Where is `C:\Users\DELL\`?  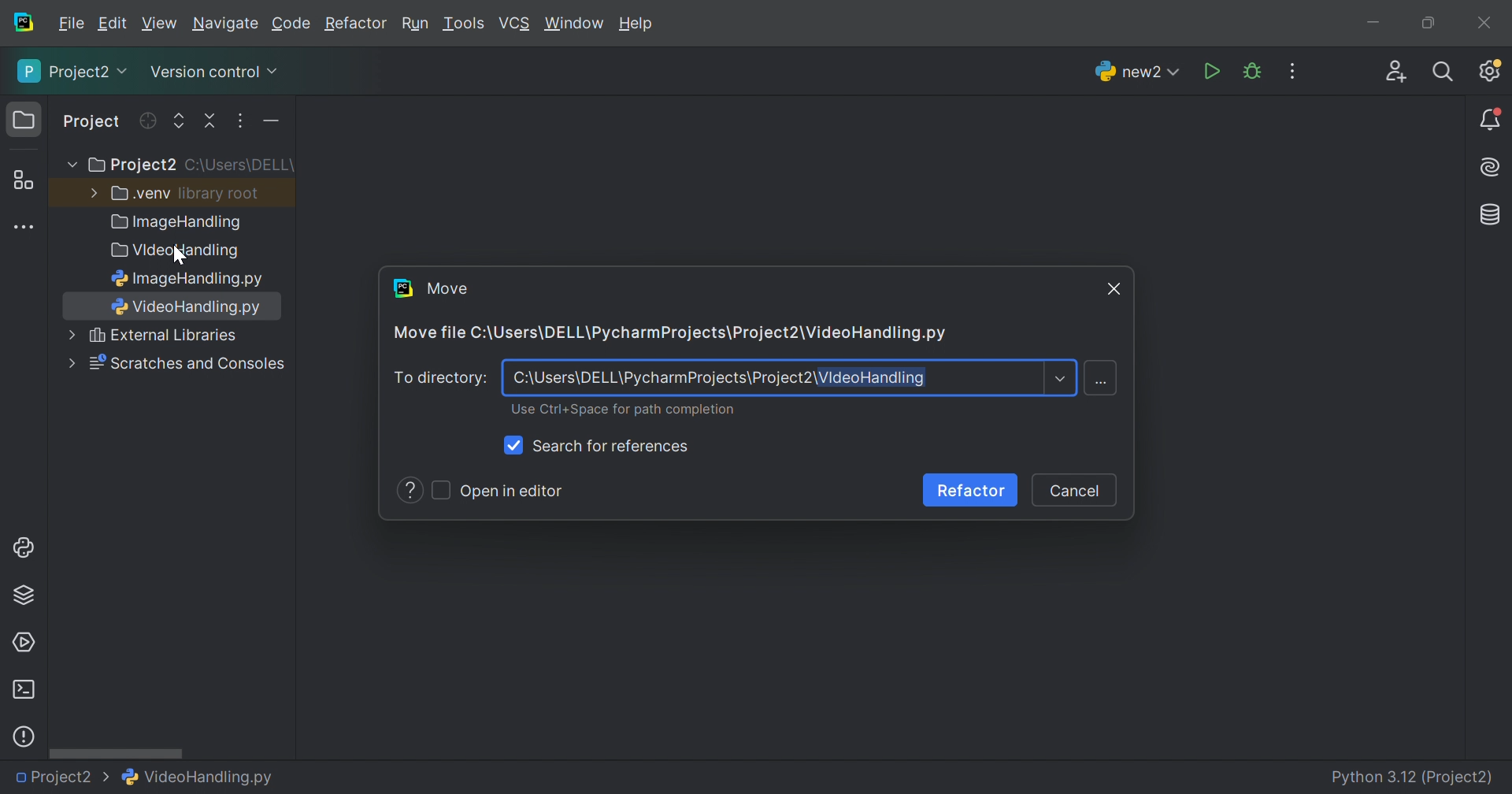
C:\Users\DELL\ is located at coordinates (239, 165).